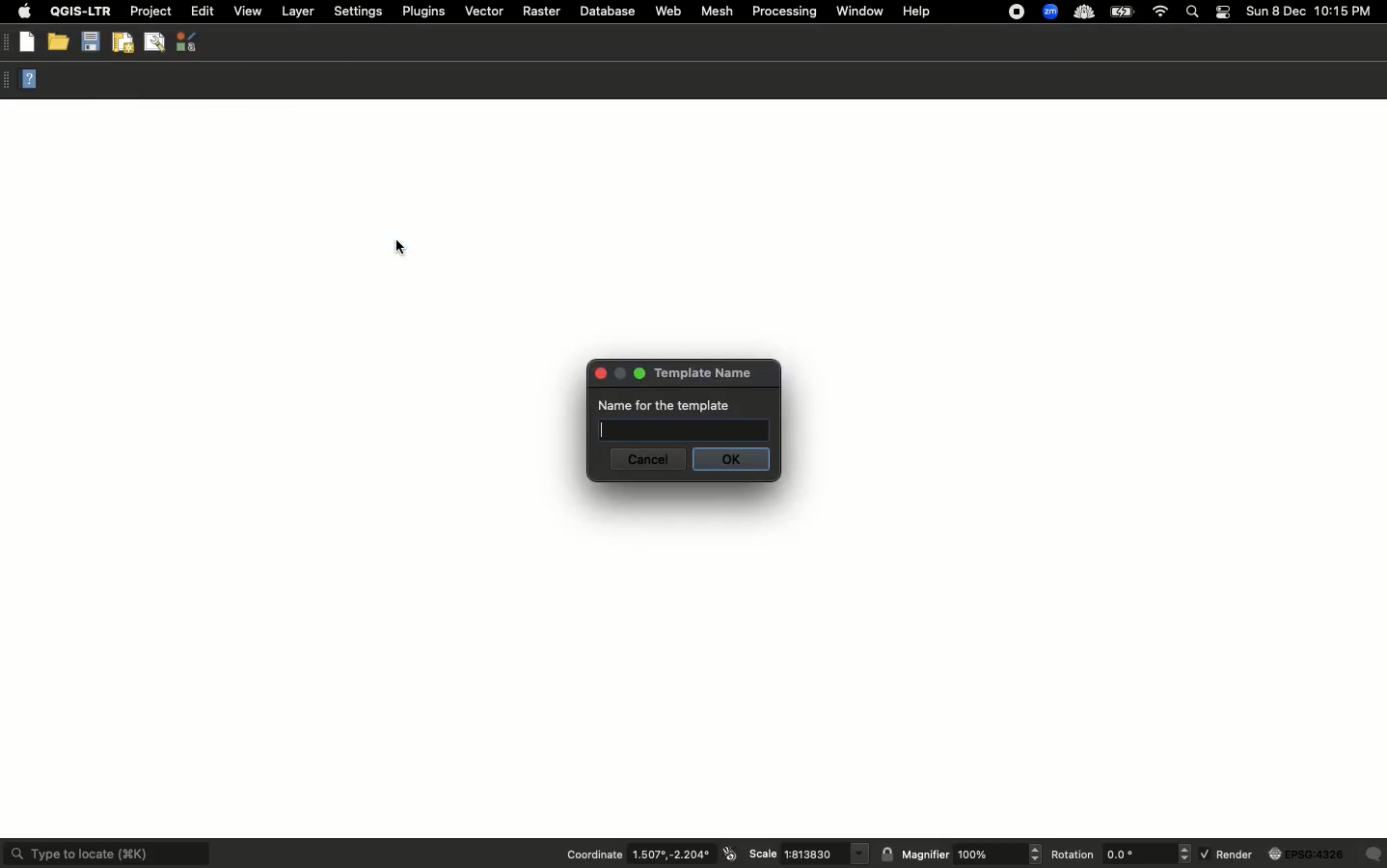 This screenshot has height=868, width=1387. I want to click on Type to locate, so click(106, 852).